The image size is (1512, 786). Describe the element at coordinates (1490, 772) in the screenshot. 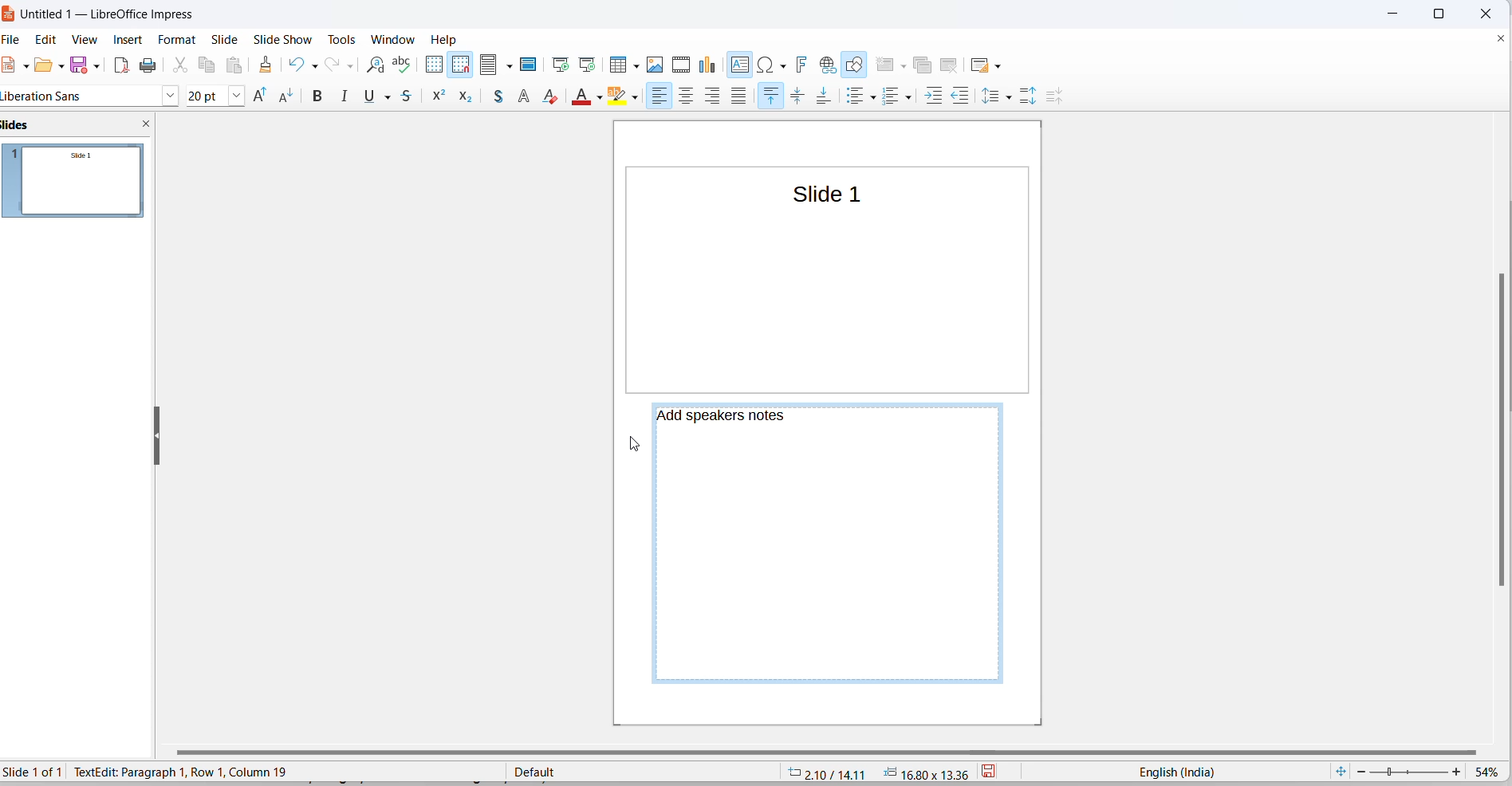

I see `zoom percentage` at that location.